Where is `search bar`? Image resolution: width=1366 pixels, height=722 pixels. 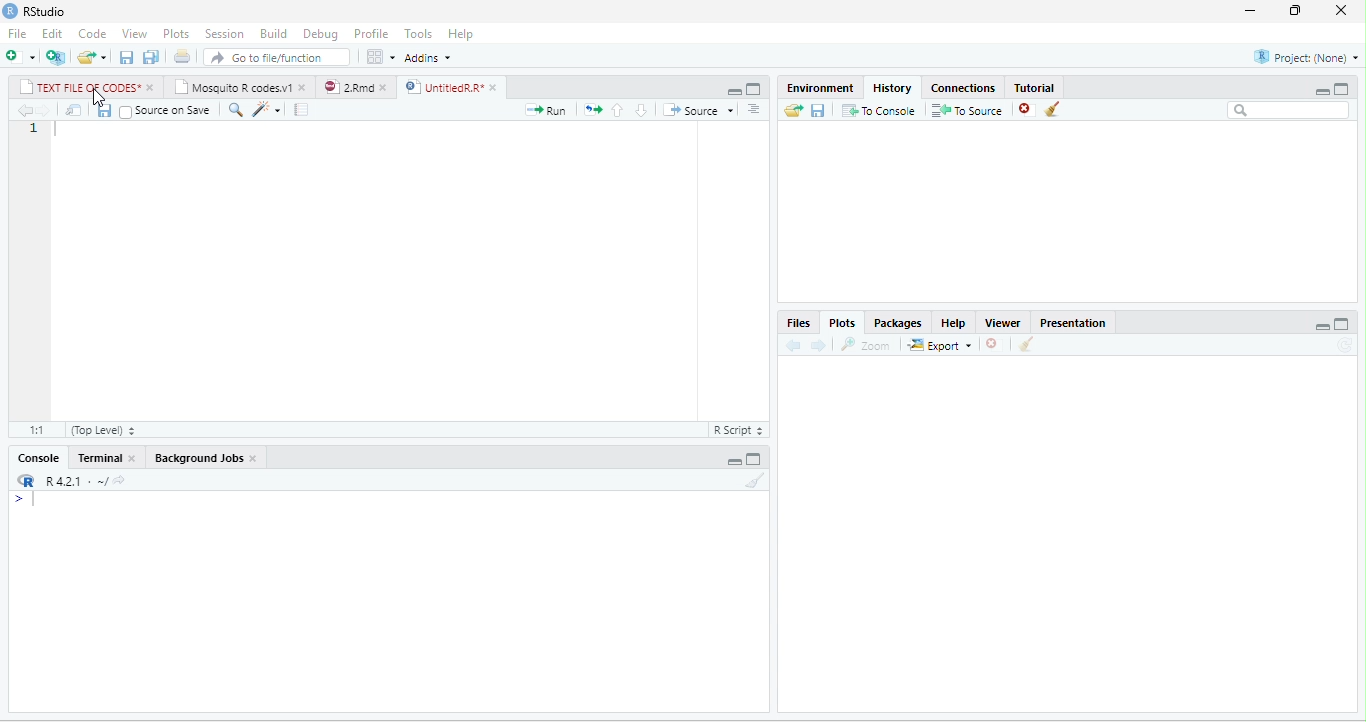
search bar is located at coordinates (1290, 110).